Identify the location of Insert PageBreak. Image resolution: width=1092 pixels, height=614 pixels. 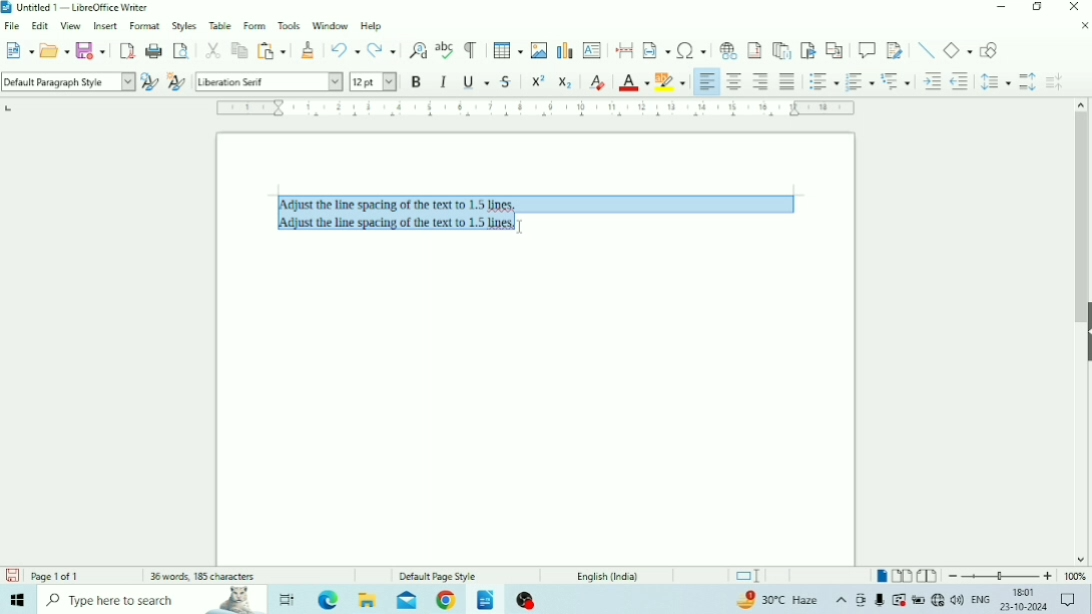
(625, 49).